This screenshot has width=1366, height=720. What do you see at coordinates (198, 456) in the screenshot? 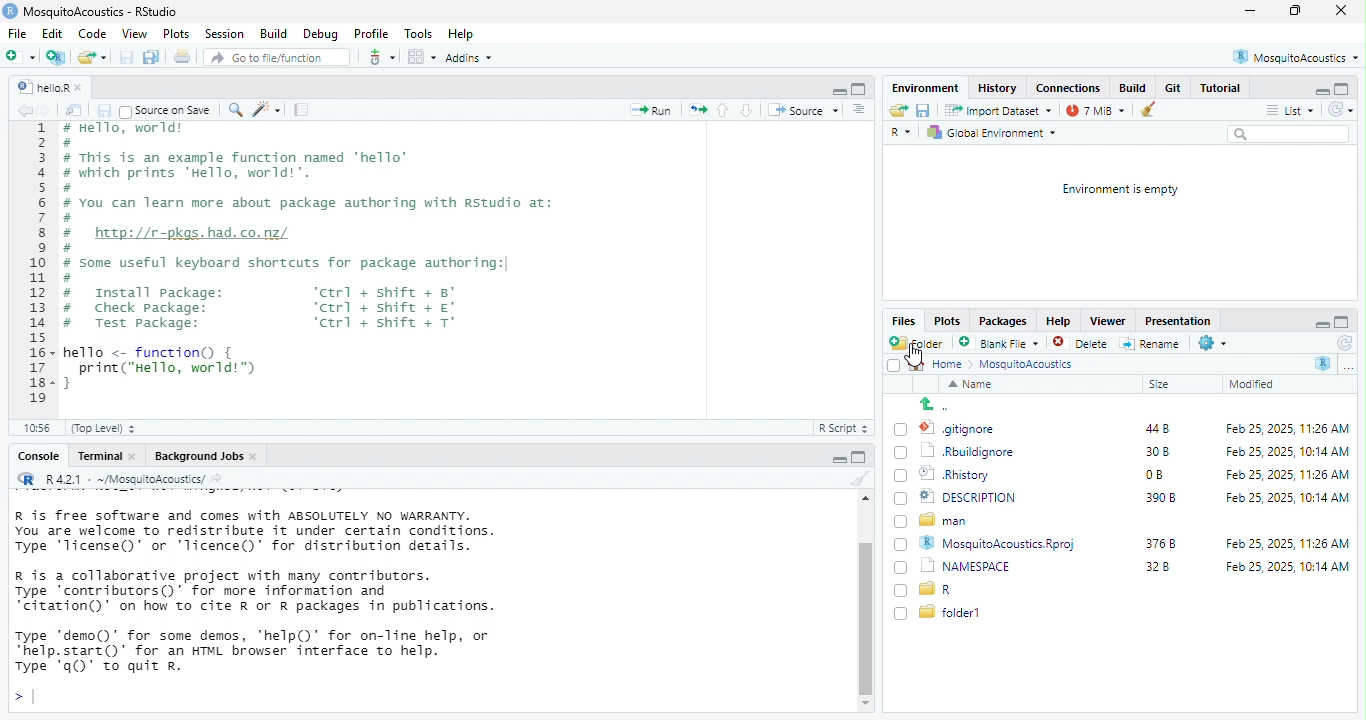
I see `‘Background Jobs` at bounding box center [198, 456].